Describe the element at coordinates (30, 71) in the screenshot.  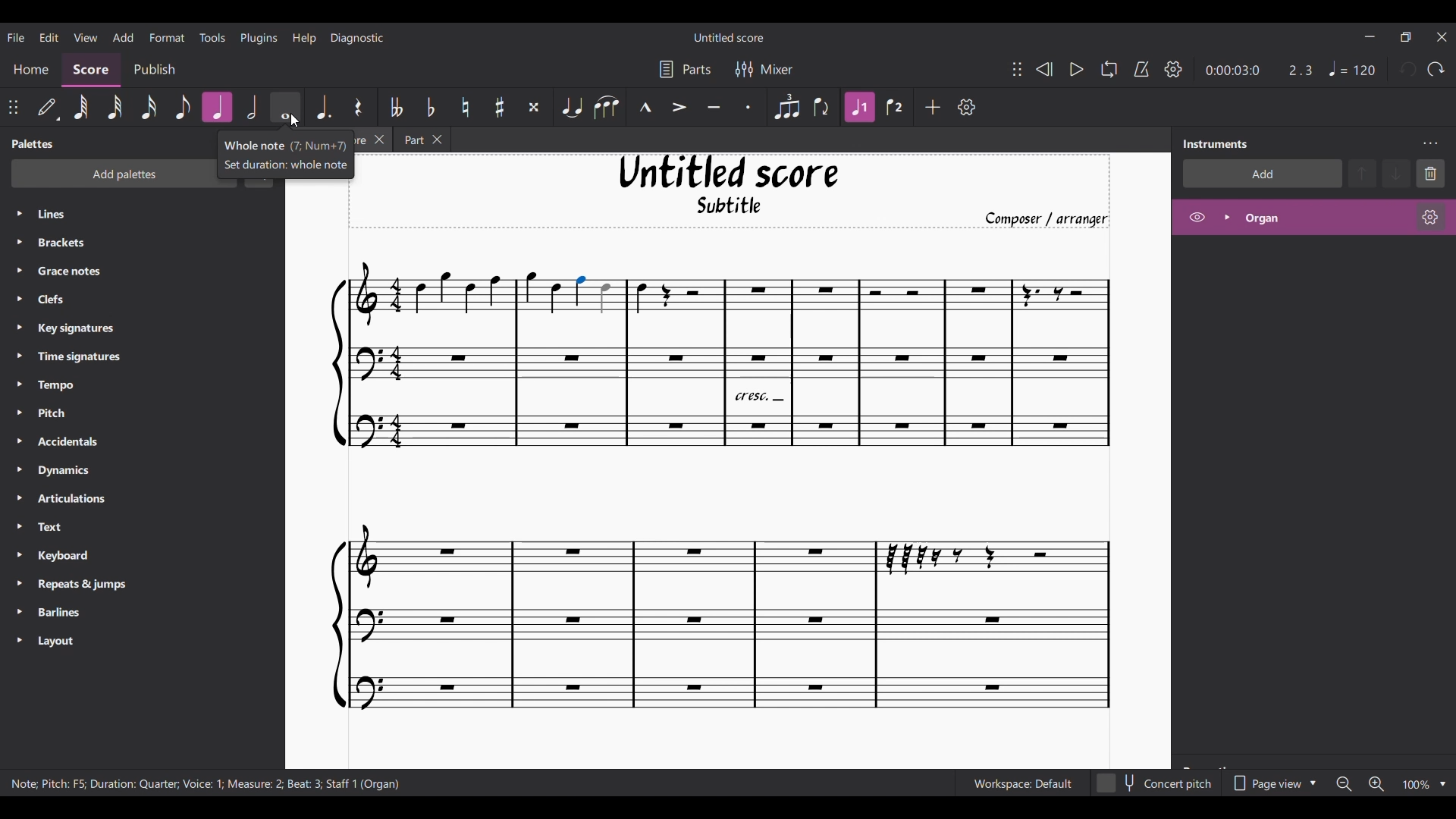
I see `Home section` at that location.